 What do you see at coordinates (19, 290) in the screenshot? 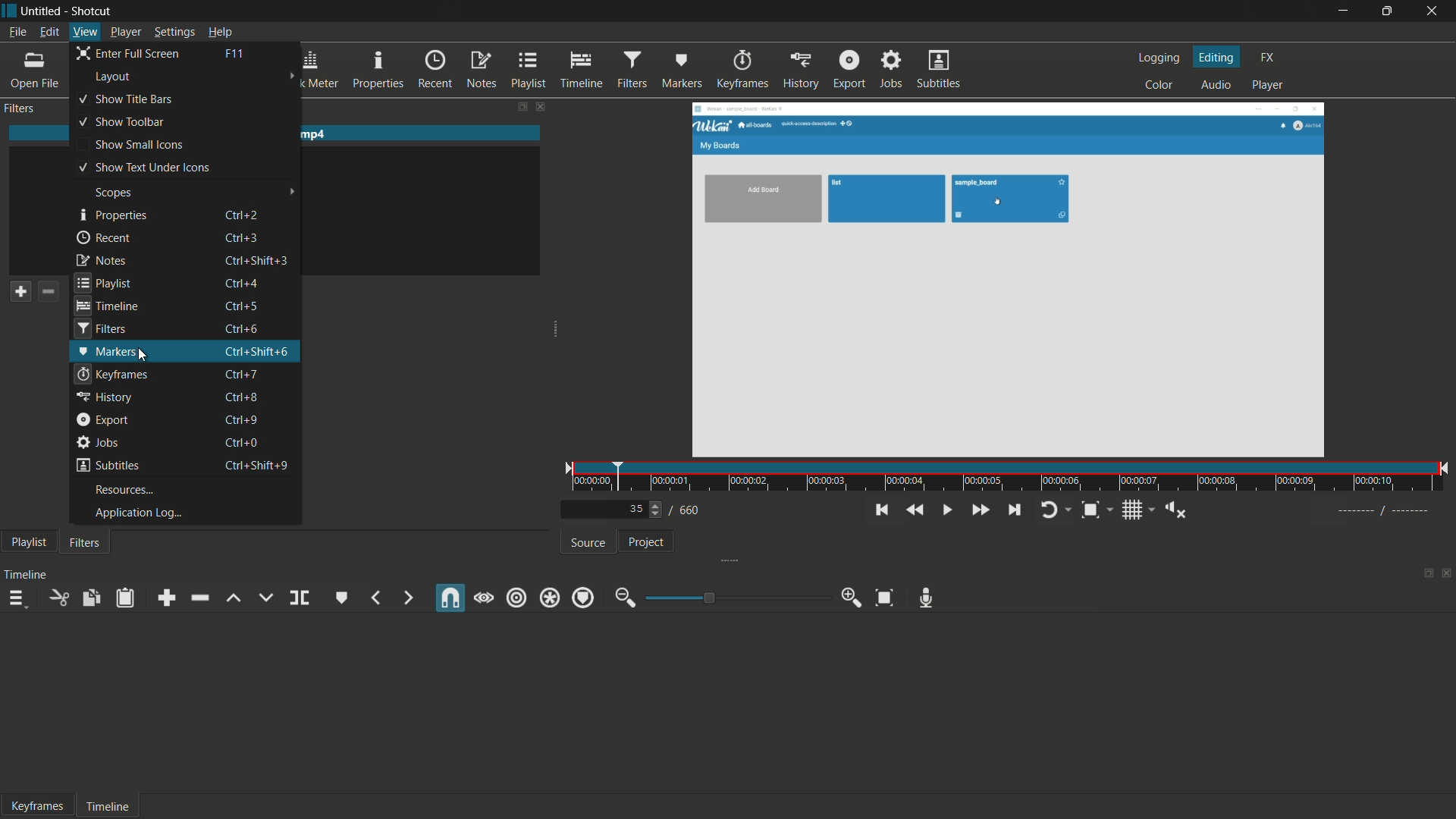
I see `add a filter` at bounding box center [19, 290].